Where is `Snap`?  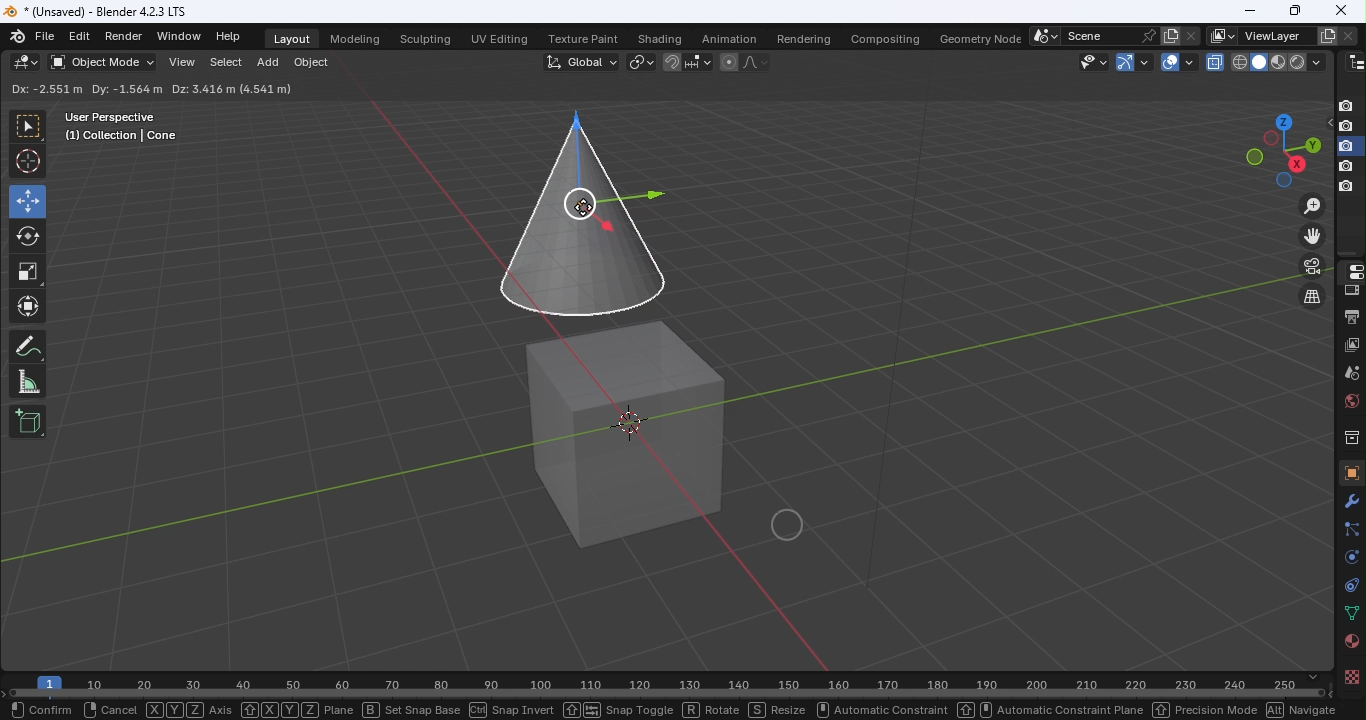 Snap is located at coordinates (671, 61).